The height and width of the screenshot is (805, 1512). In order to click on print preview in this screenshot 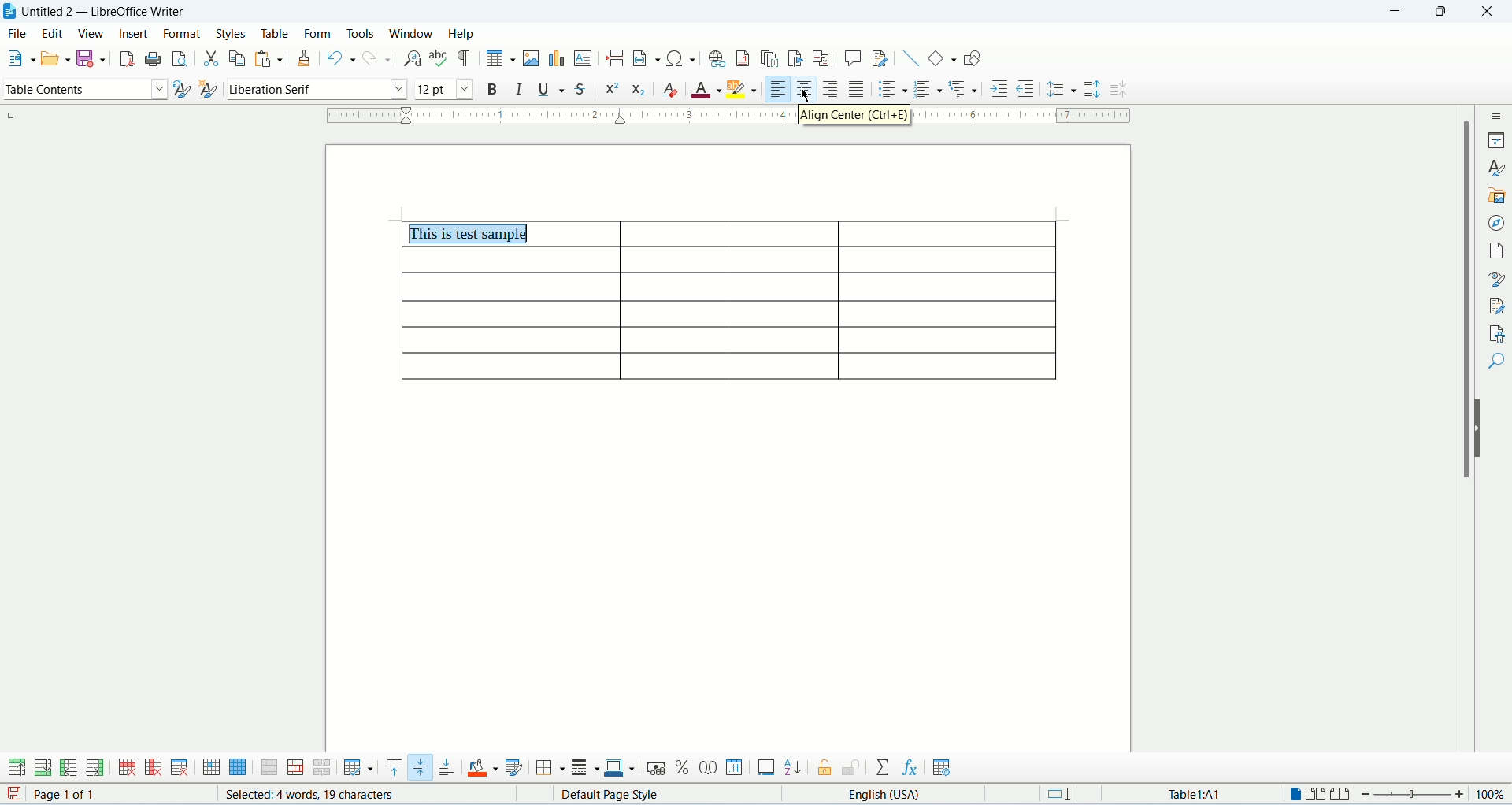, I will do `click(180, 58)`.